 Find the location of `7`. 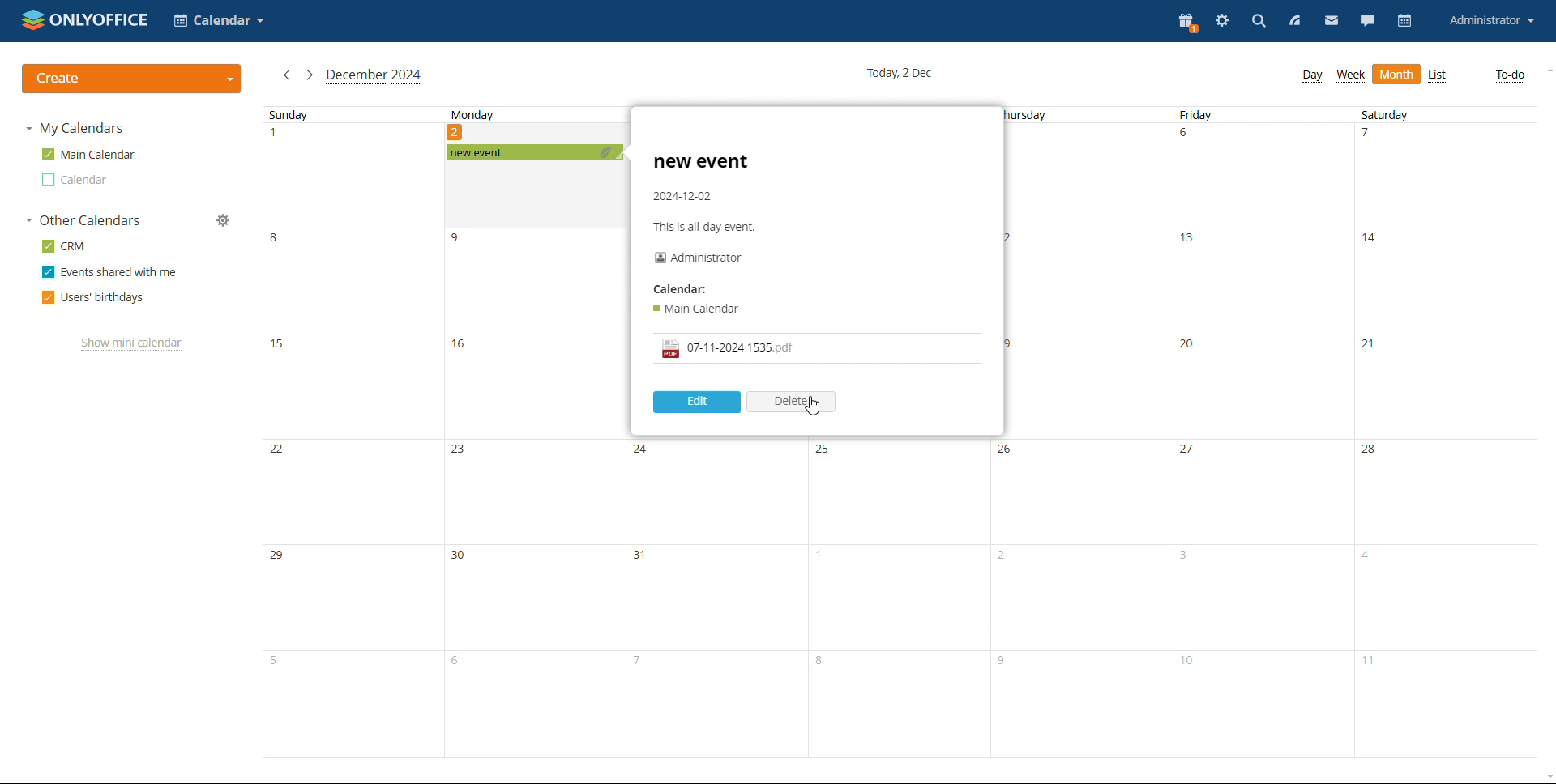

7 is located at coordinates (637, 661).